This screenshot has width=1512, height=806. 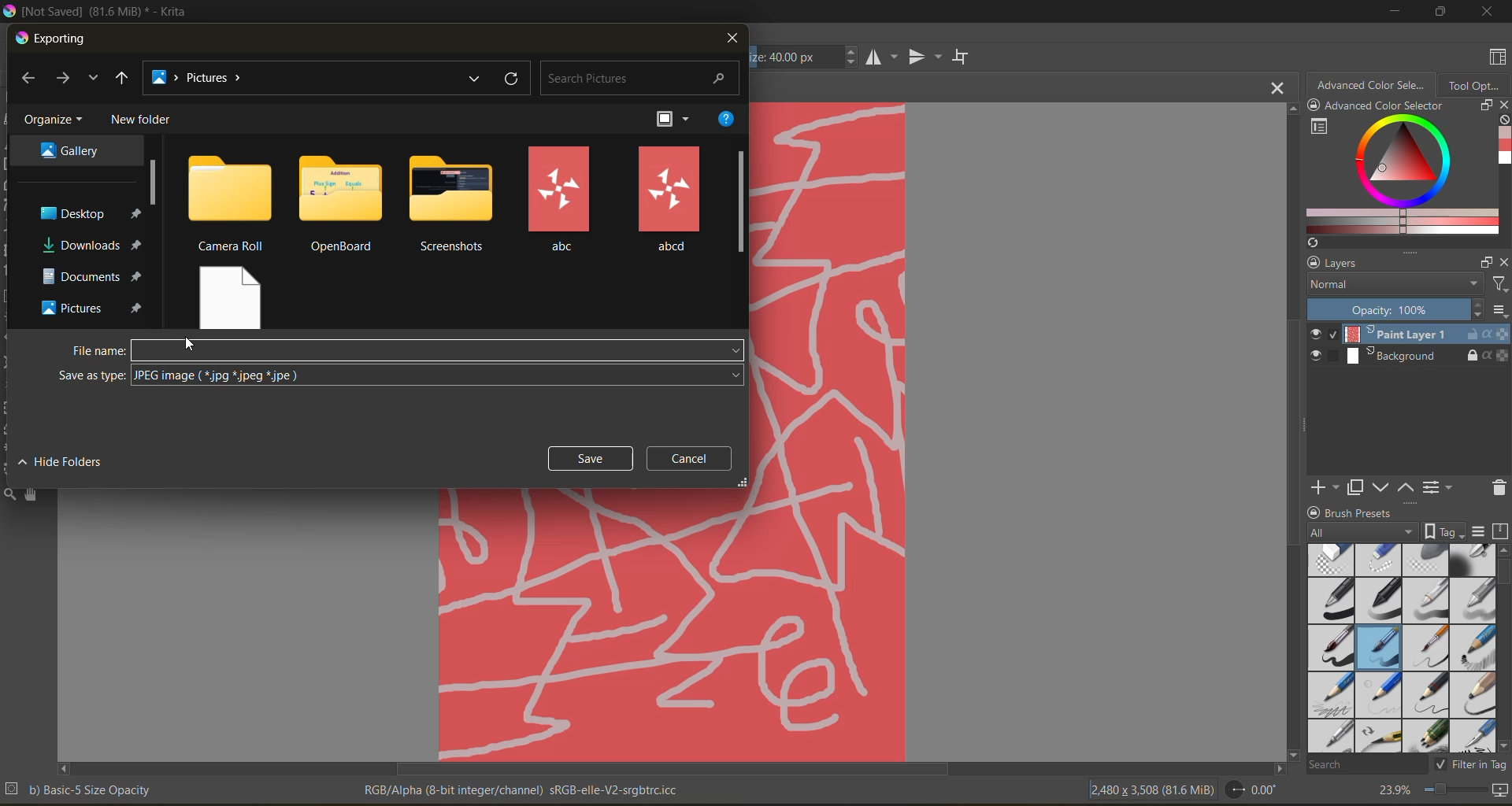 What do you see at coordinates (203, 79) in the screenshot?
I see `location path` at bounding box center [203, 79].